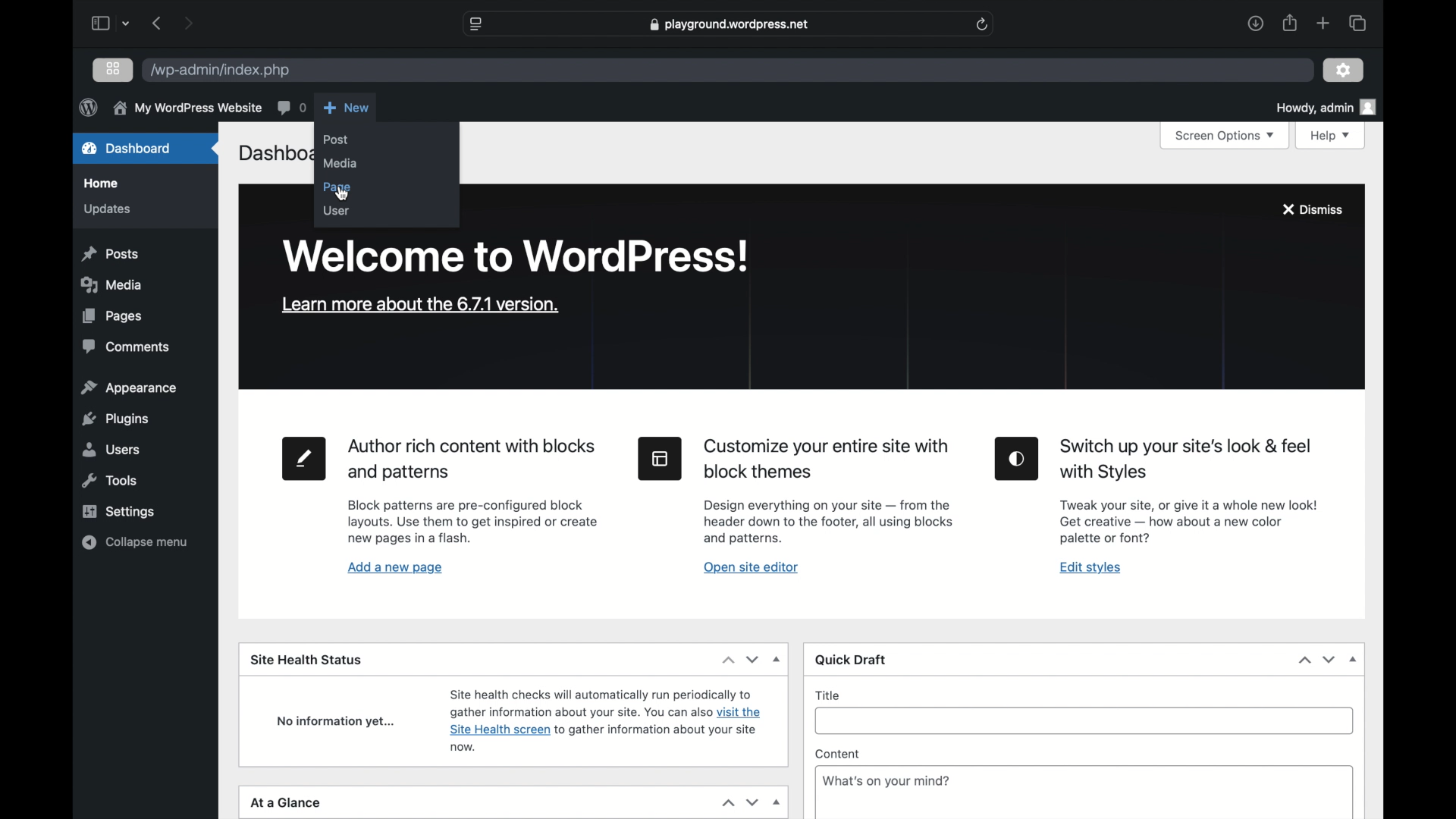 This screenshot has height=819, width=1456. I want to click on next page, so click(188, 23).